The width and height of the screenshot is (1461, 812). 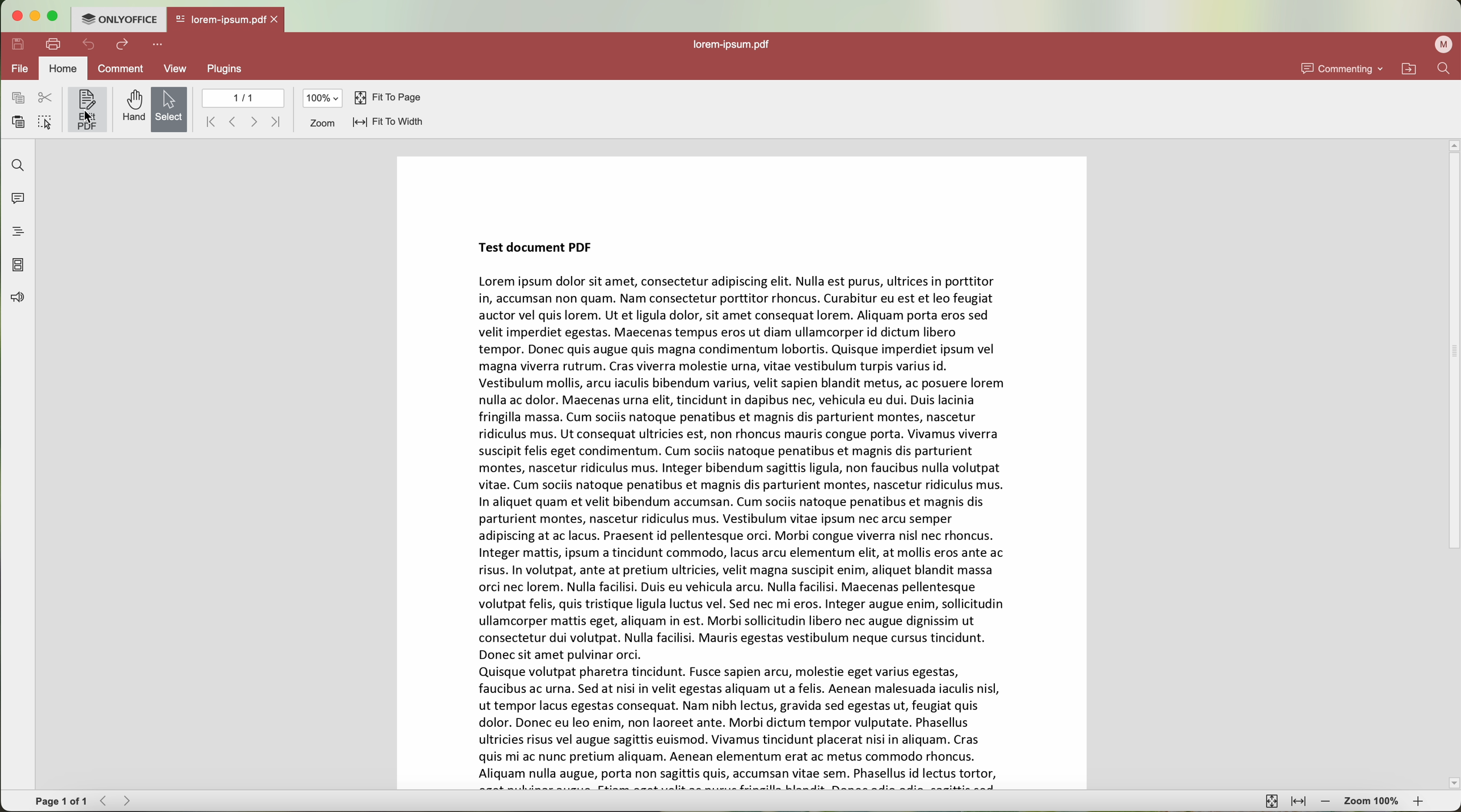 I want to click on copy, so click(x=17, y=97).